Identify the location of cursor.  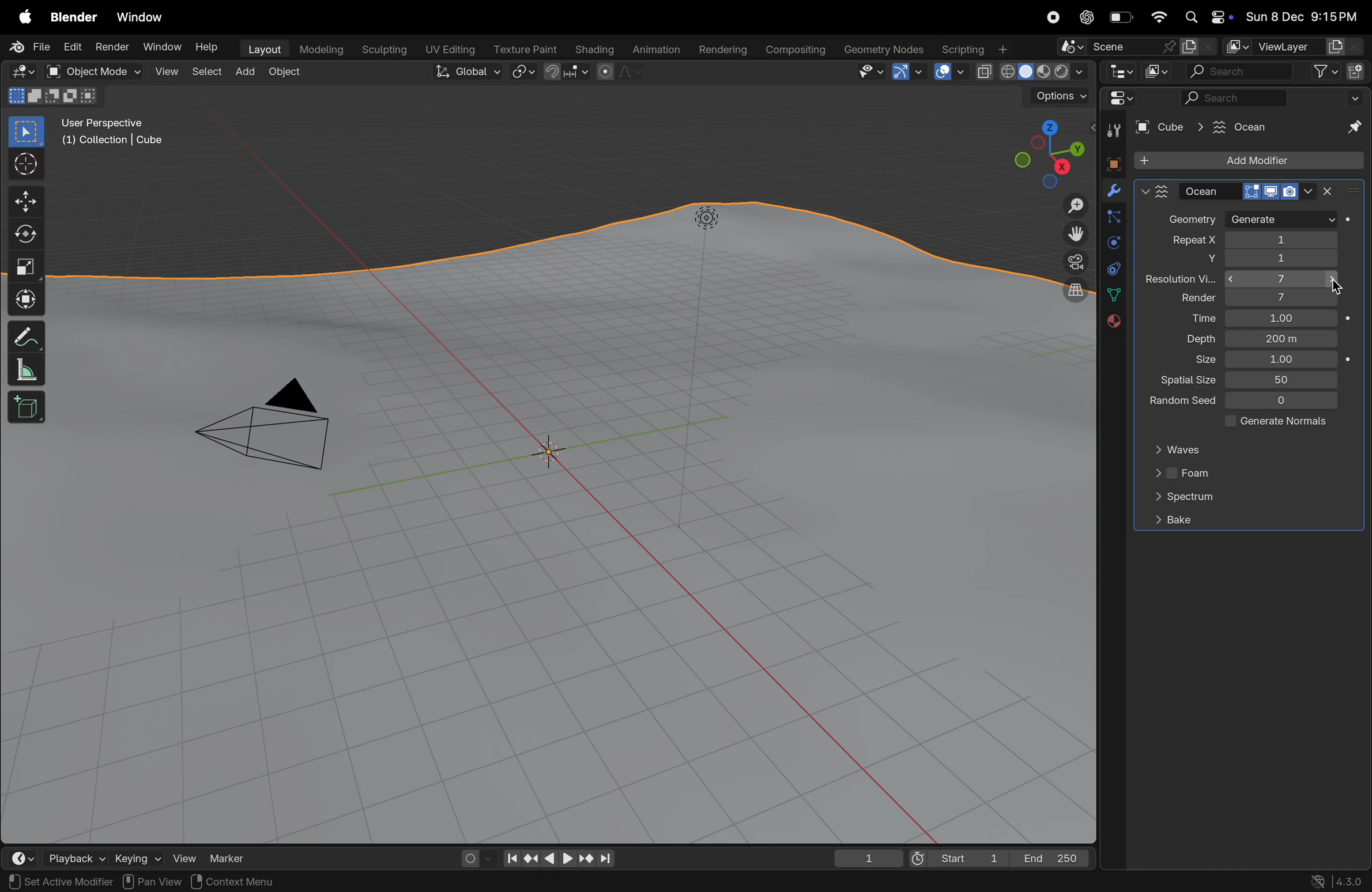
(1335, 285).